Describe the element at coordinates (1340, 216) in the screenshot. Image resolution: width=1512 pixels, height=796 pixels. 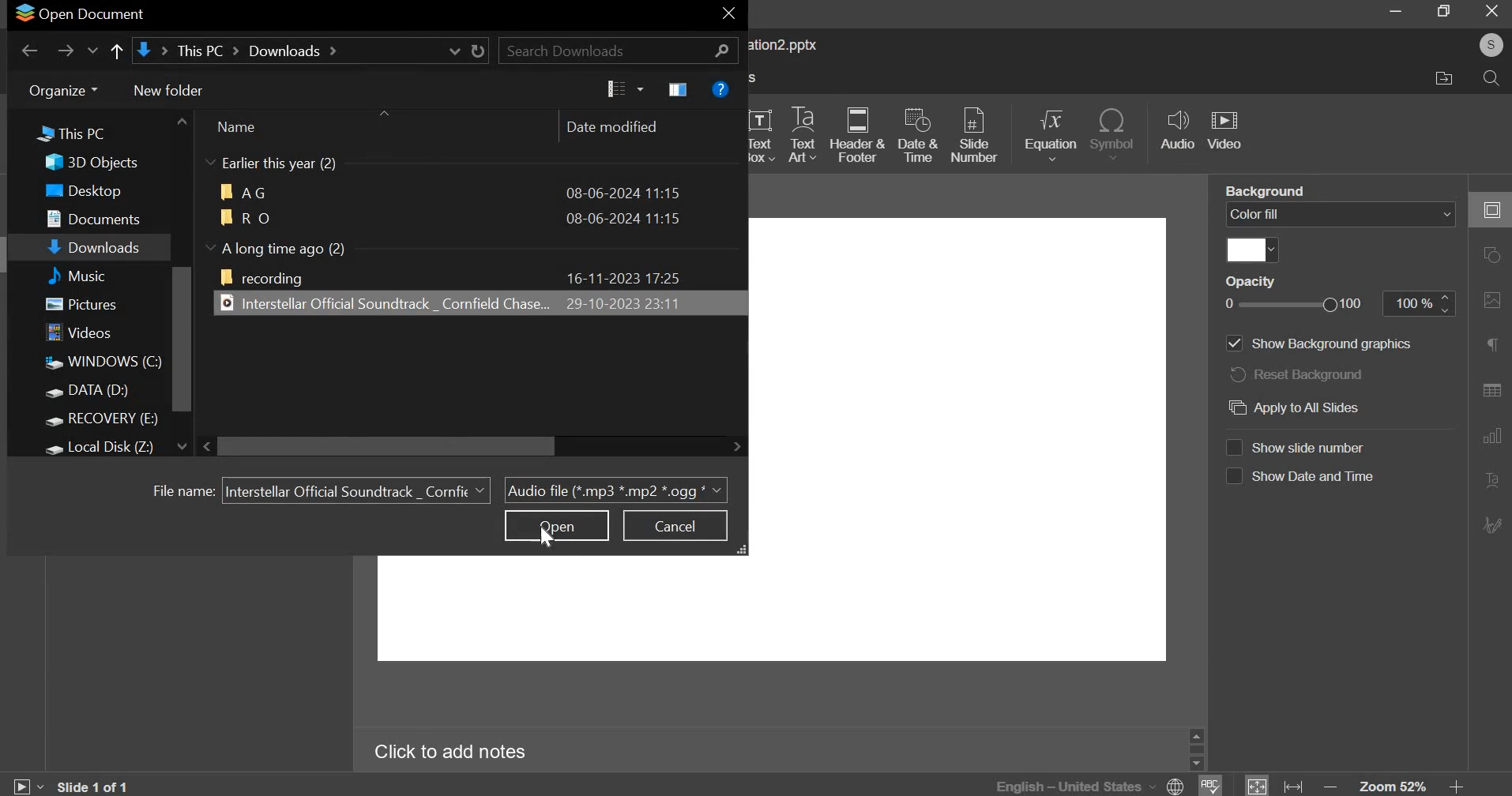
I see `background fill` at that location.